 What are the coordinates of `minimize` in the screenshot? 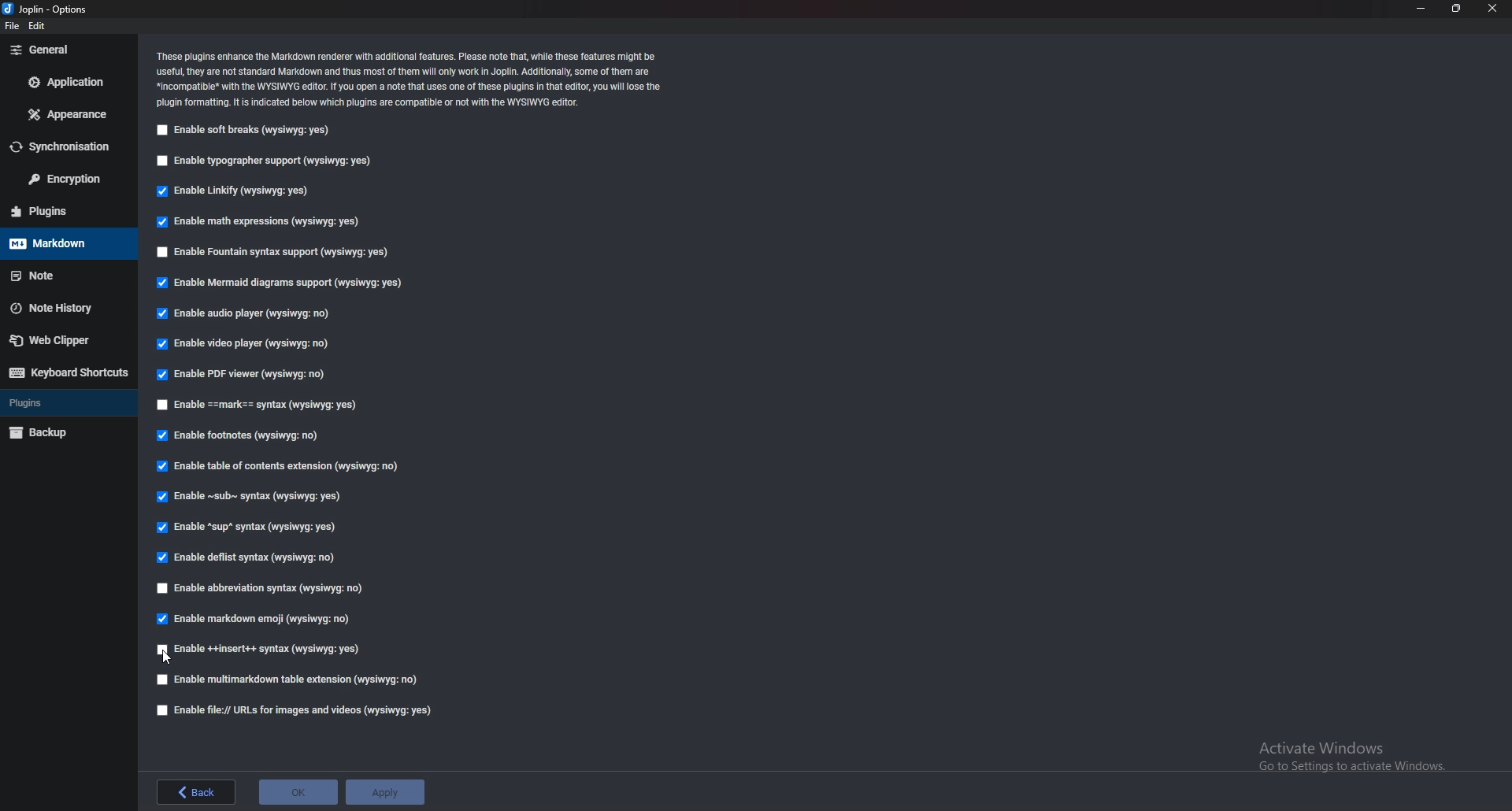 It's located at (1421, 8).